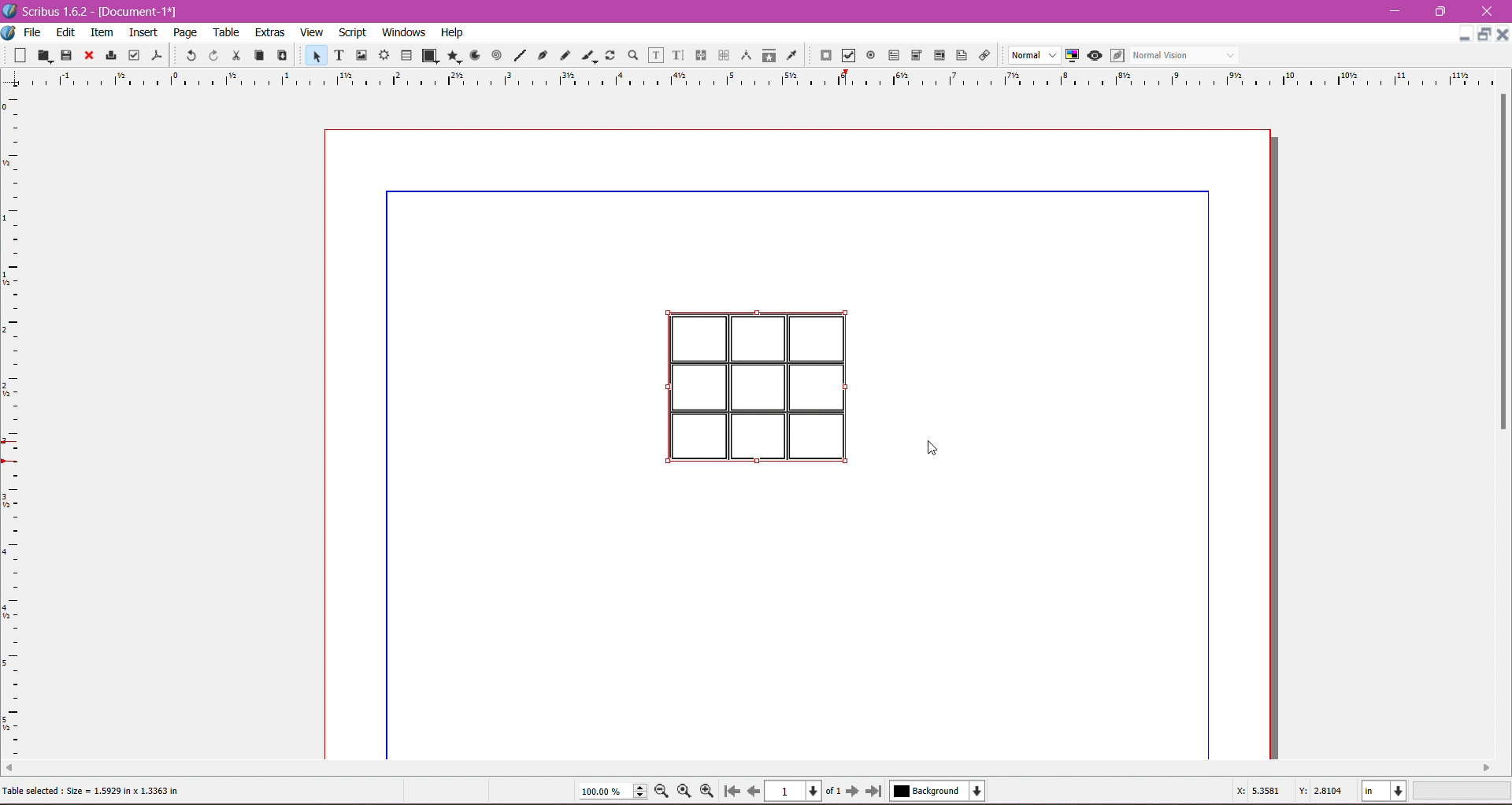 Image resolution: width=1512 pixels, height=805 pixels. I want to click on Windows, so click(402, 32).